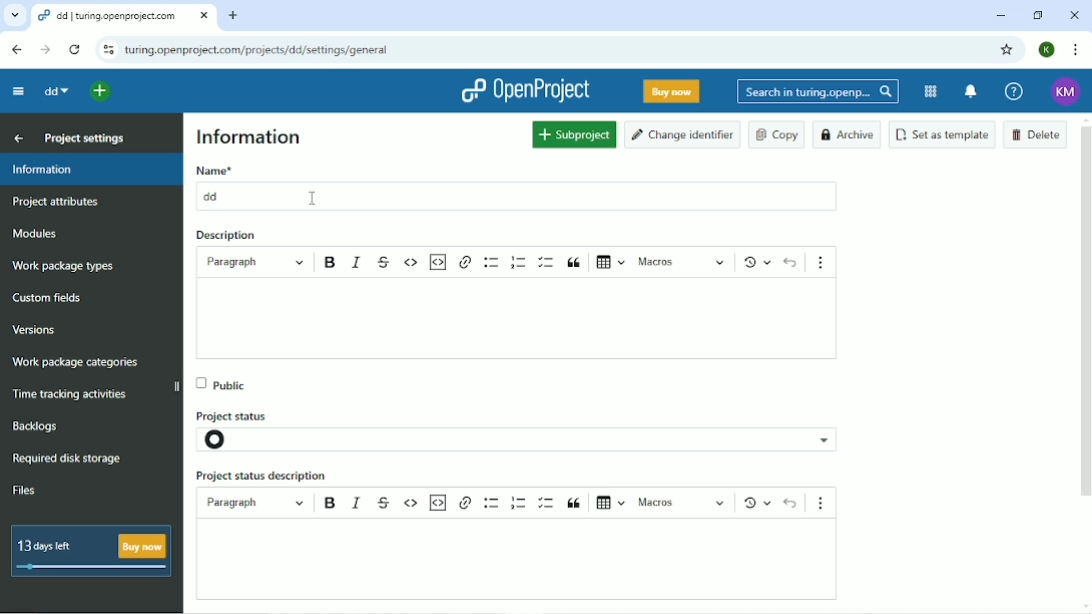 This screenshot has height=614, width=1092. I want to click on Show local modifications, so click(752, 262).